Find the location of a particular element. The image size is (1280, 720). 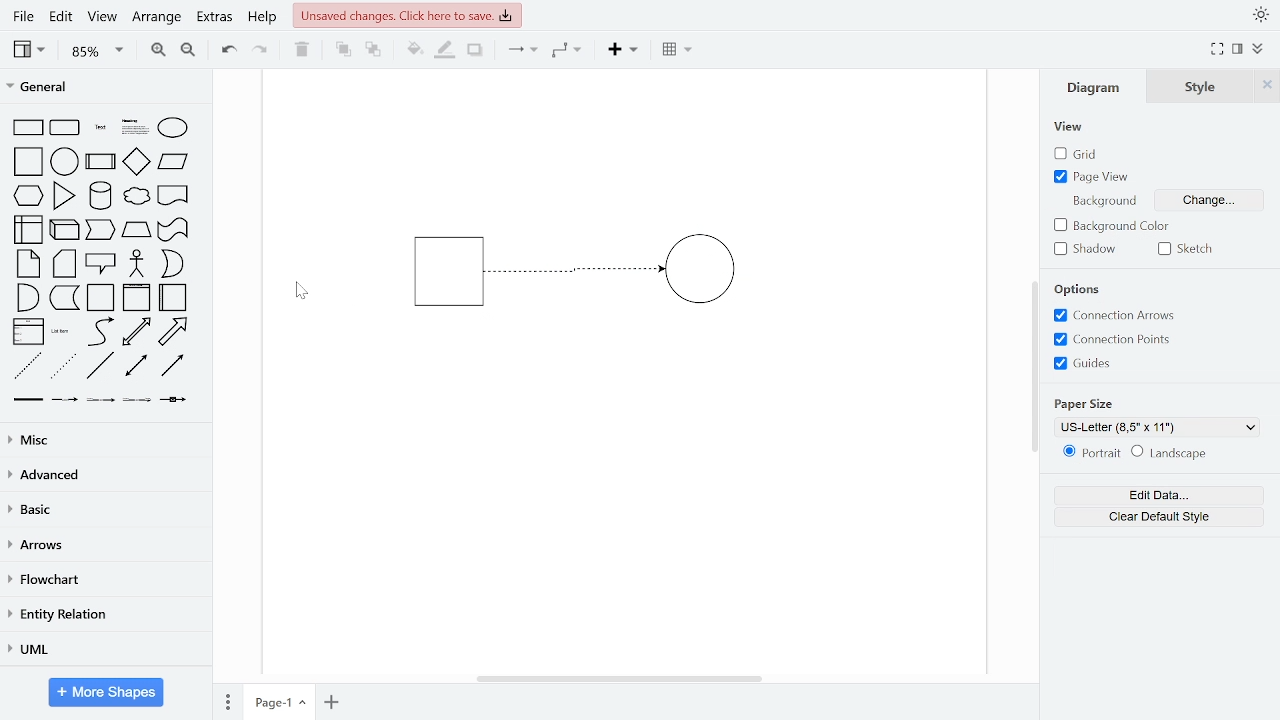

arrow is located at coordinates (173, 332).